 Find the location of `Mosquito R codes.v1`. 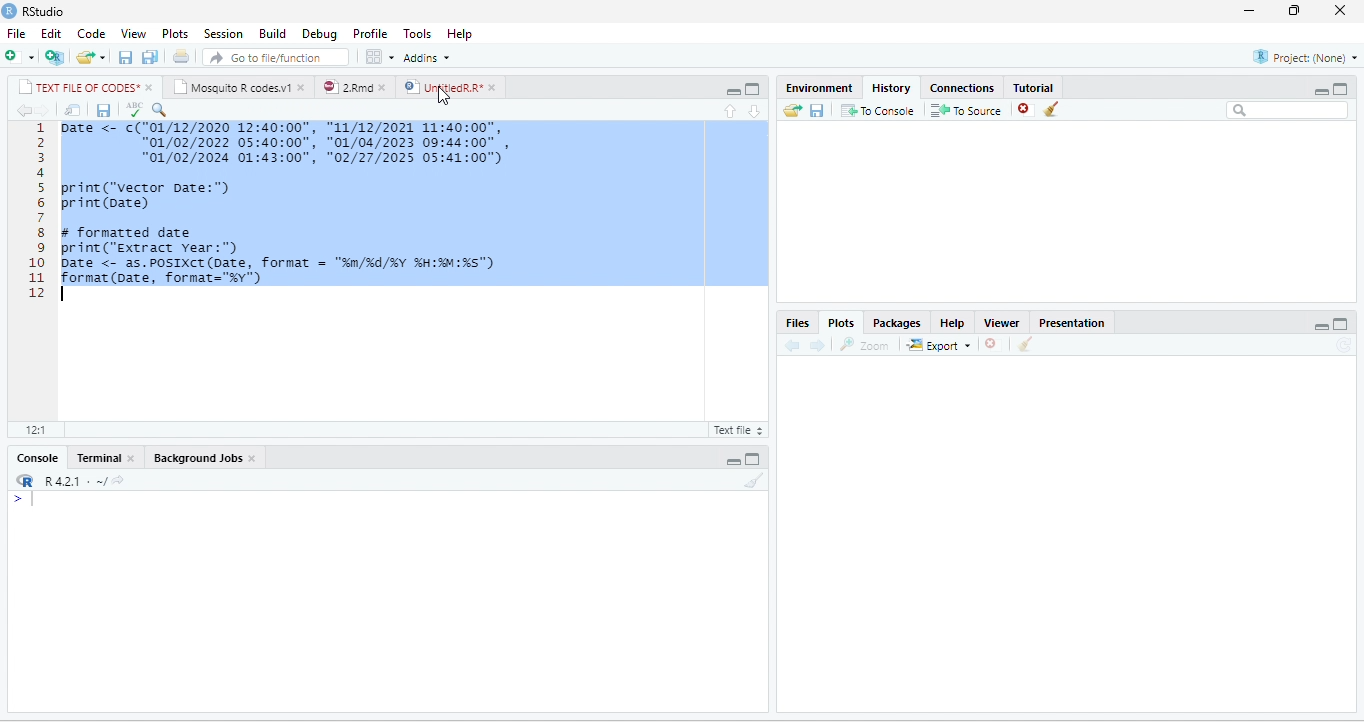

Mosquito R codes.v1 is located at coordinates (232, 87).